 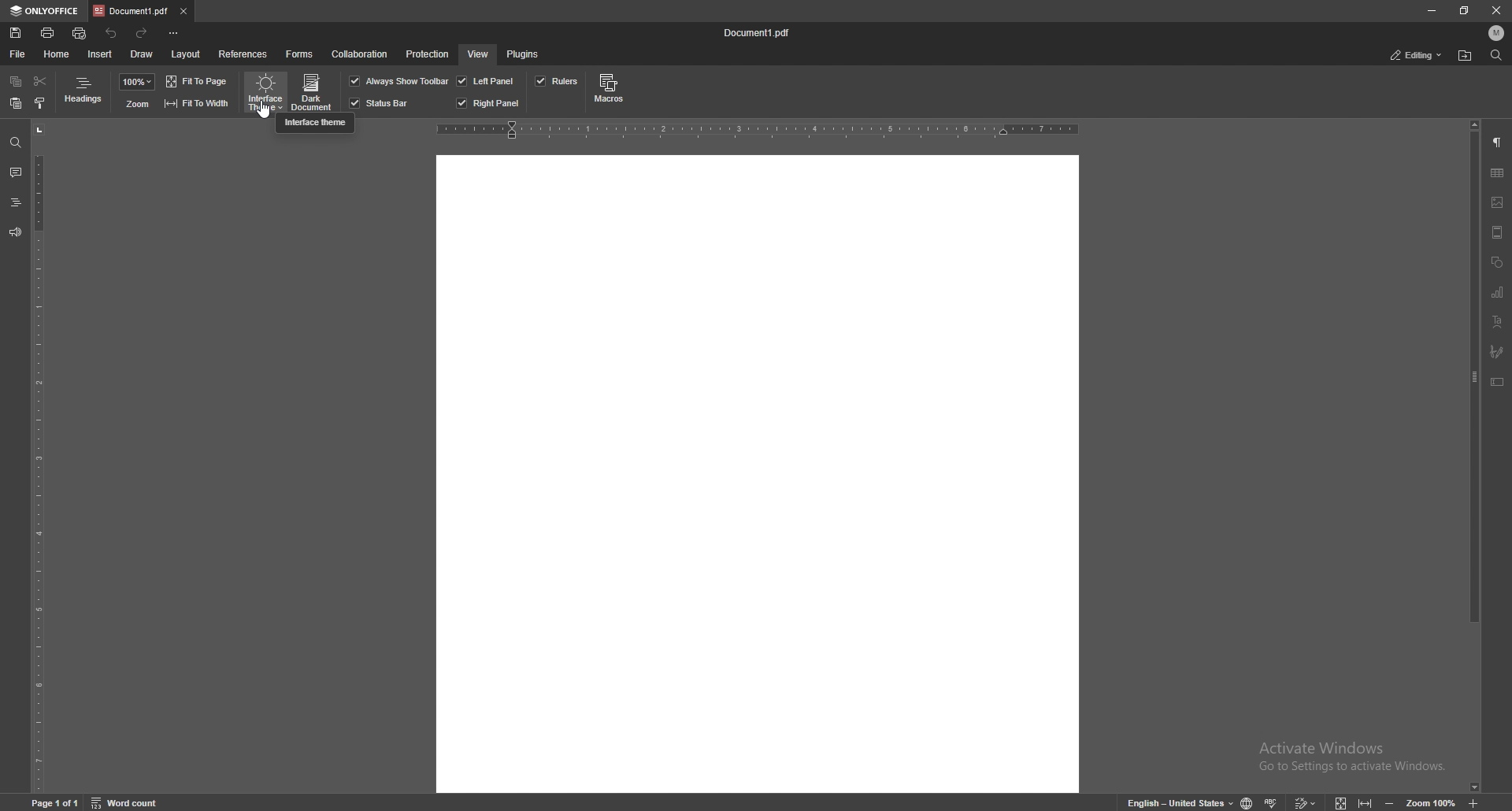 I want to click on status bar, so click(x=380, y=103).